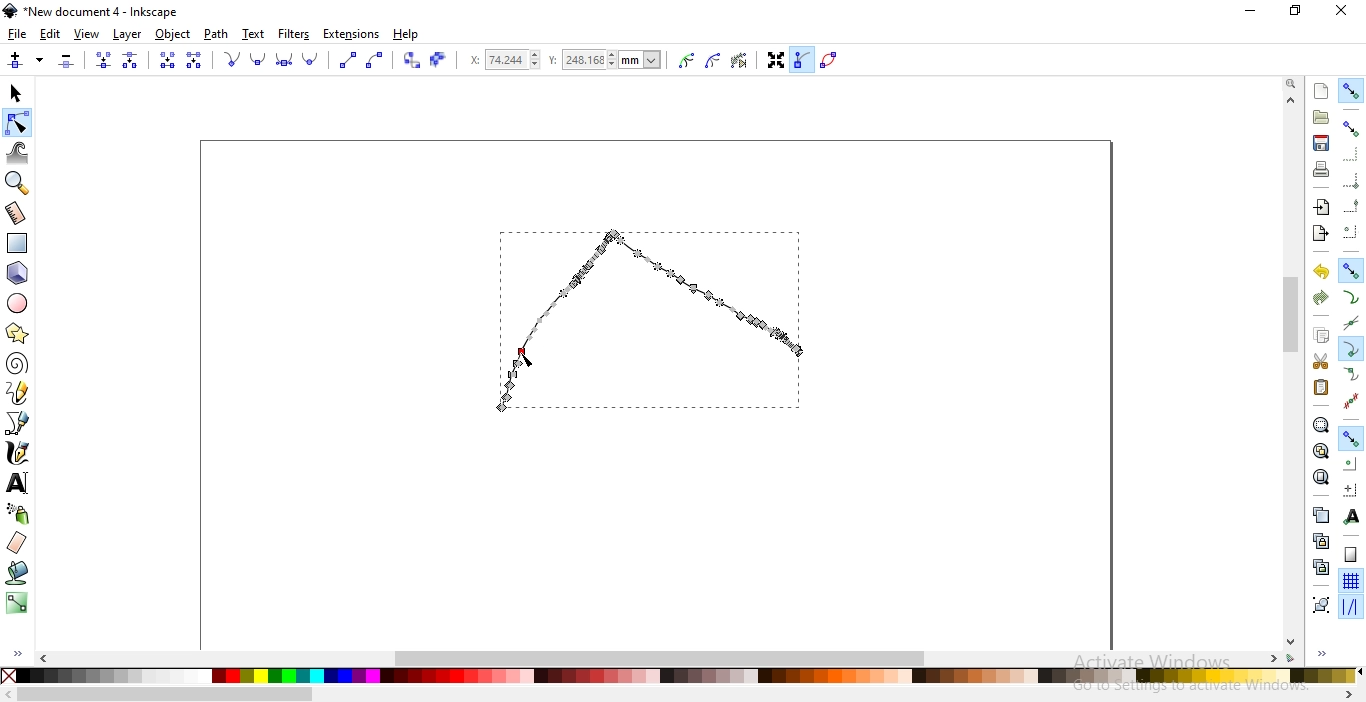 This screenshot has height=702, width=1366. Describe the element at coordinates (686, 678) in the screenshot. I see `color` at that location.